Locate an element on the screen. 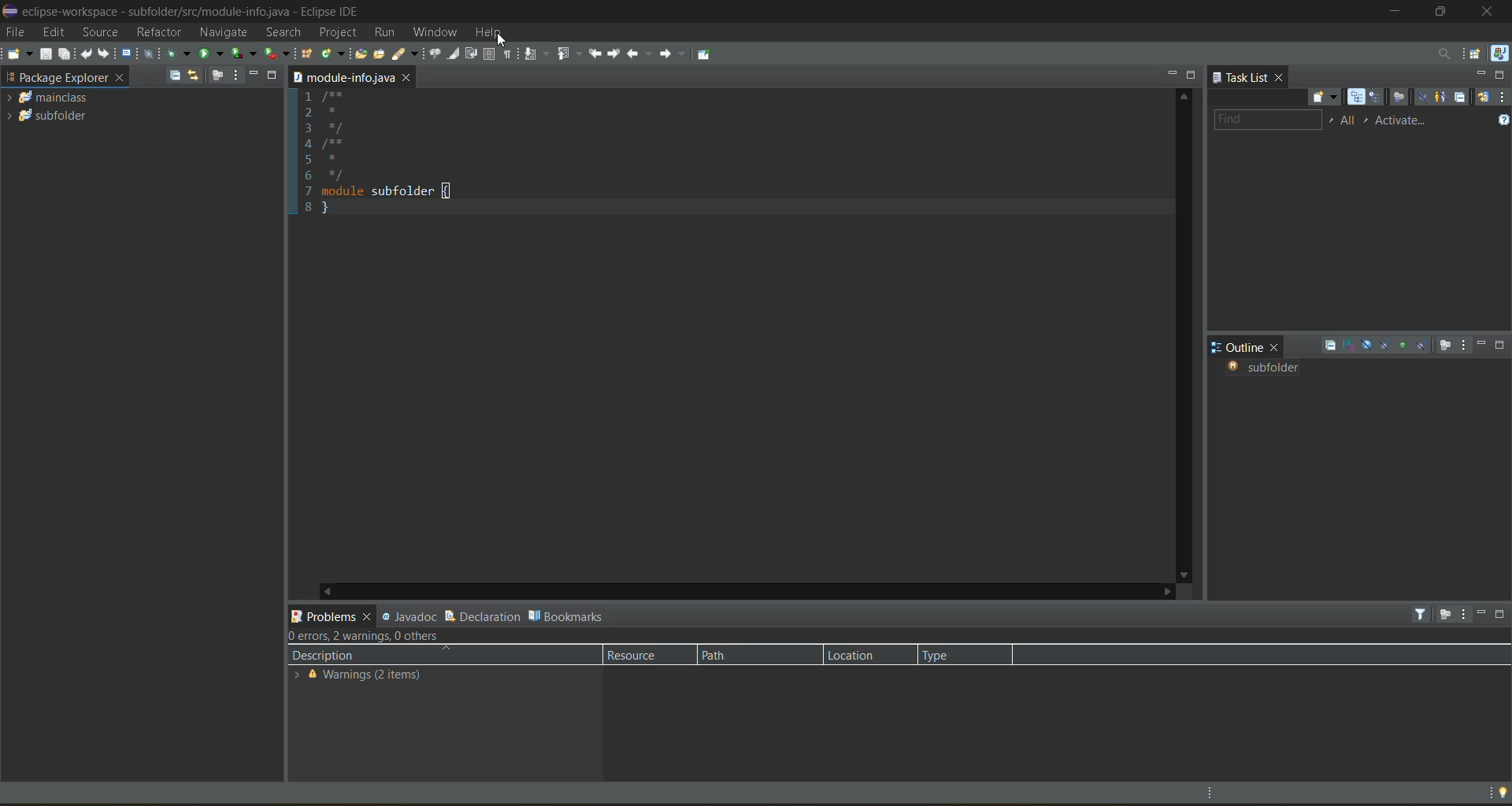  collapse all is located at coordinates (1464, 98).